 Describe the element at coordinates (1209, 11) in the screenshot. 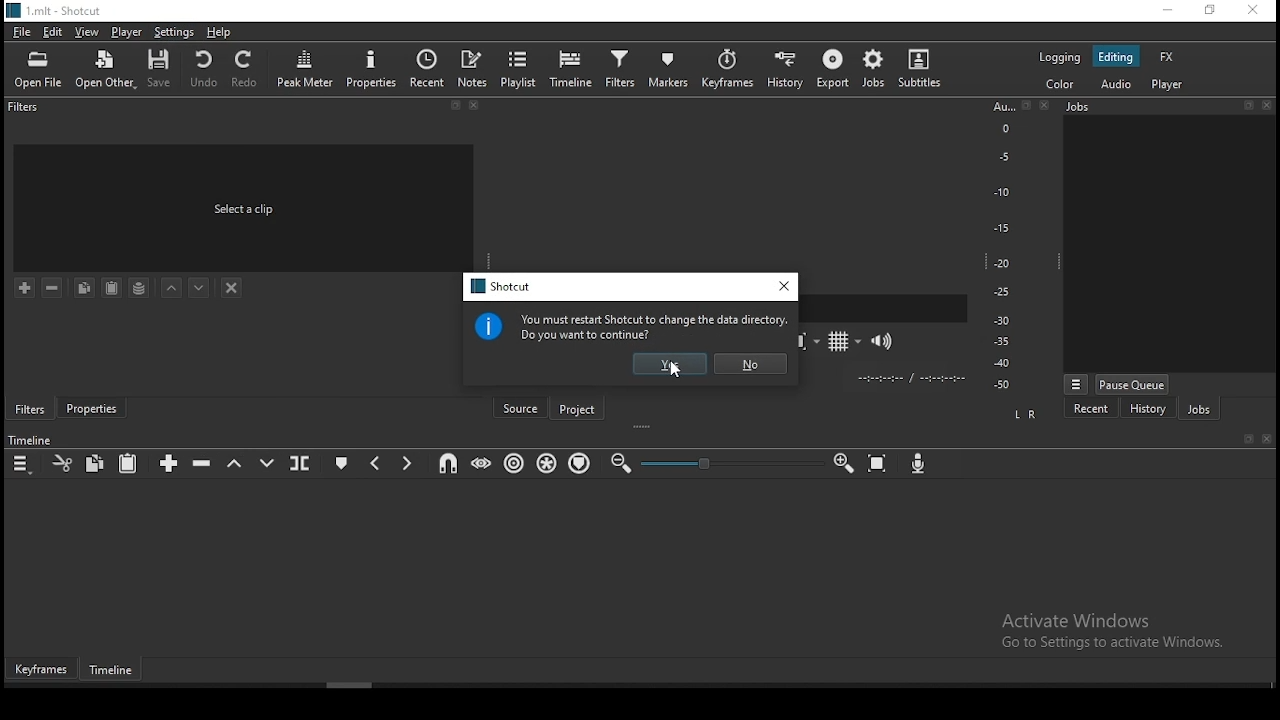

I see `restore` at that location.